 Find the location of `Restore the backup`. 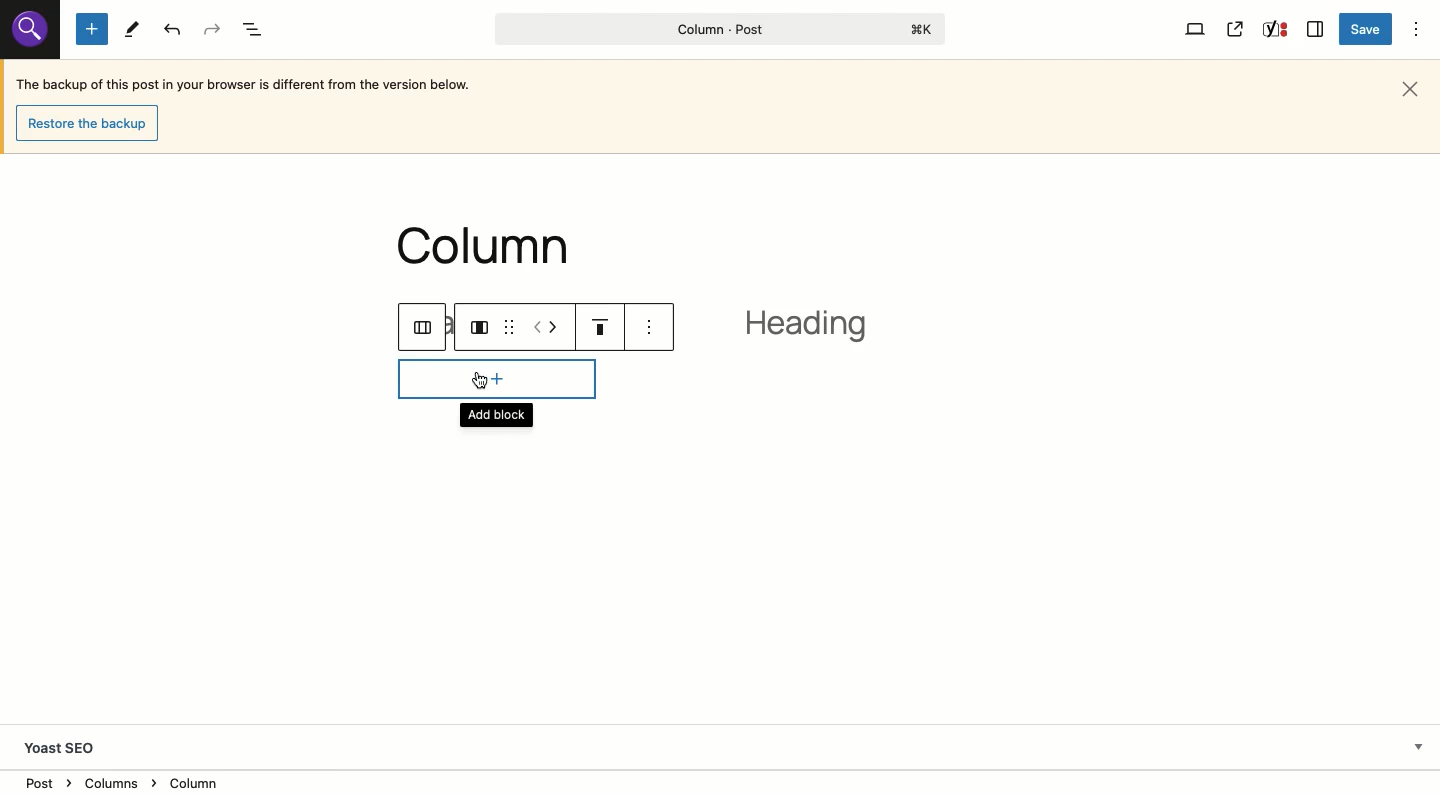

Restore the backup is located at coordinates (92, 124).